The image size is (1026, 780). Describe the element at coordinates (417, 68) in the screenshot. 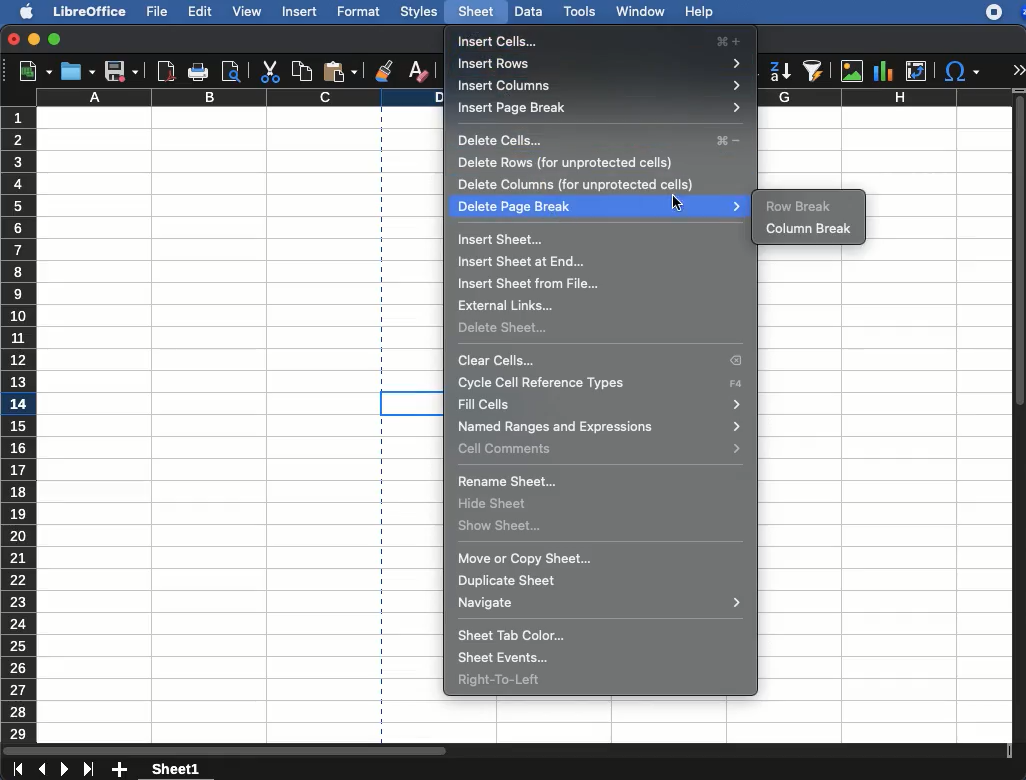

I see `clear formatting` at that location.